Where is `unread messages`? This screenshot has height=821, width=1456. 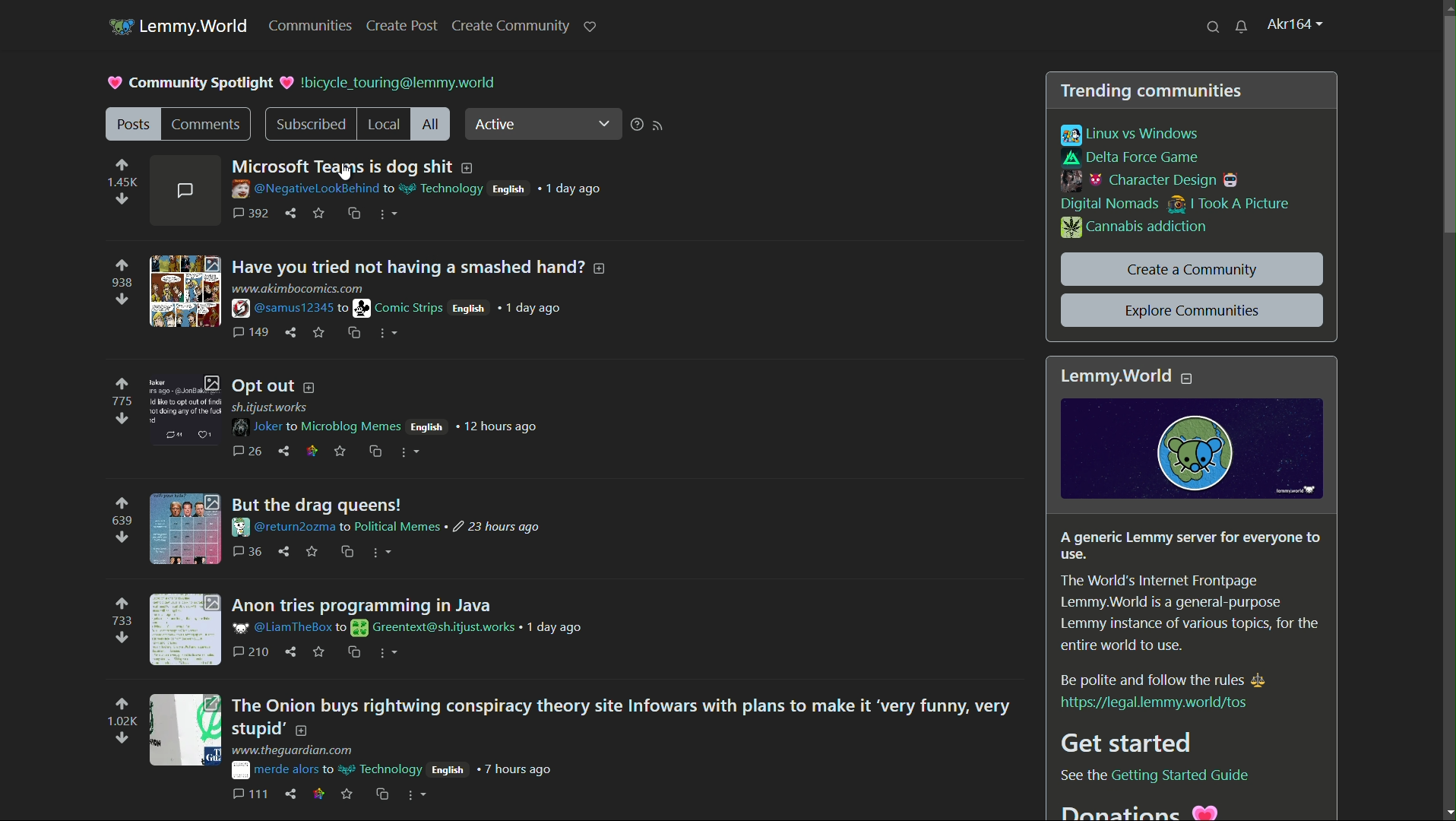 unread messages is located at coordinates (1242, 26).